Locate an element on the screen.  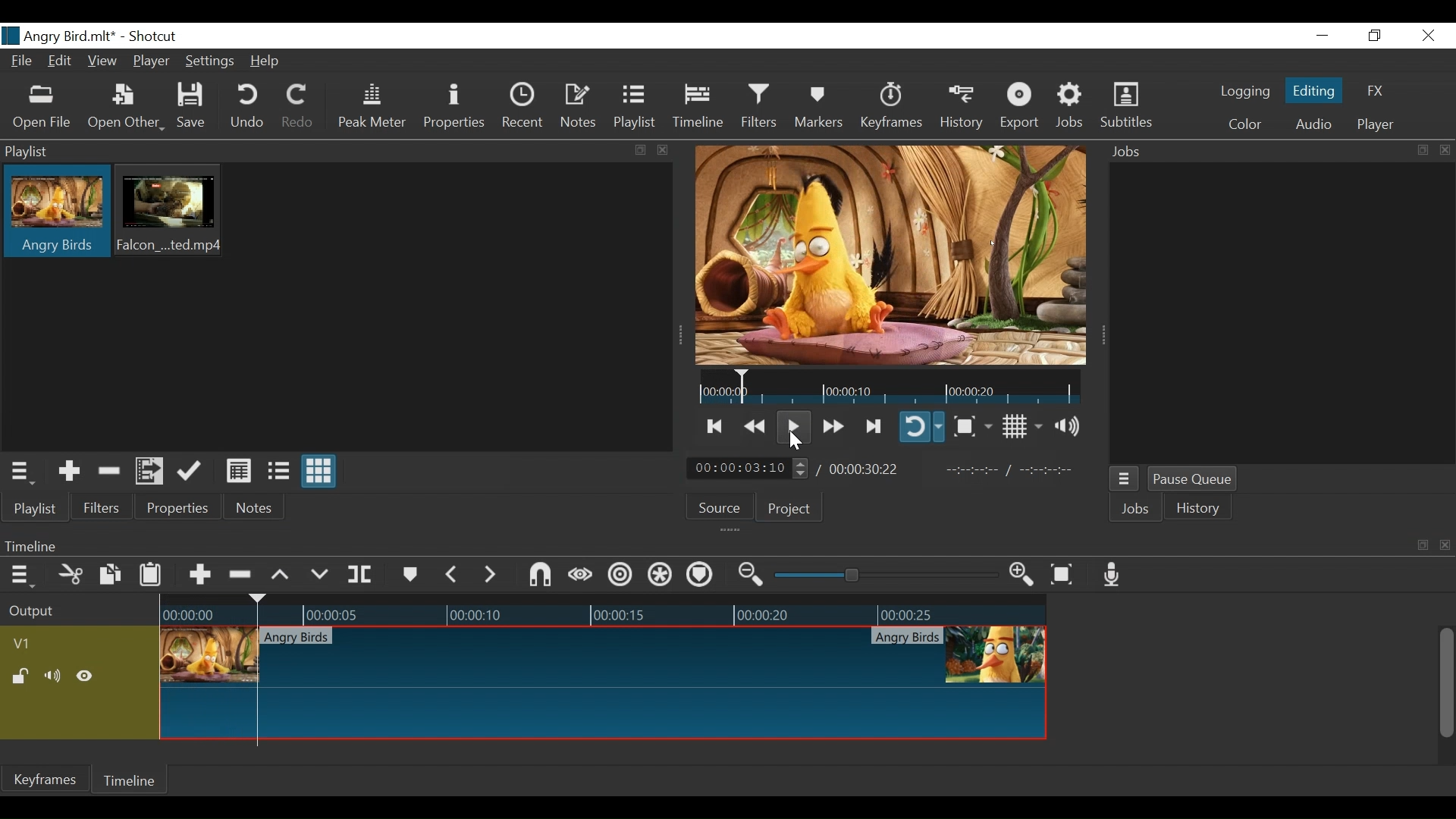
Toggle display grid on player is located at coordinates (1021, 427).